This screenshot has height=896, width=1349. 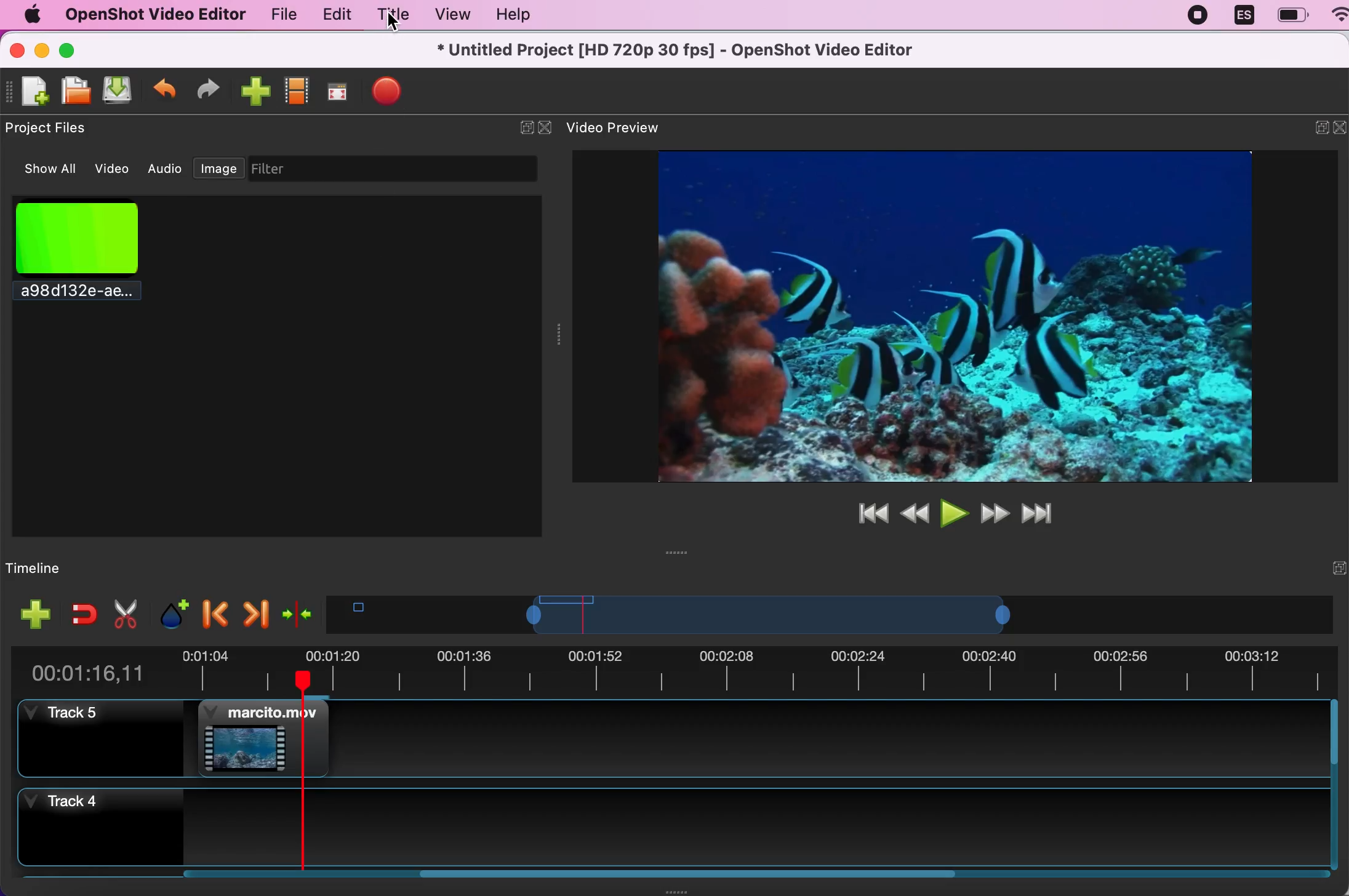 What do you see at coordinates (30, 92) in the screenshot?
I see `new file` at bounding box center [30, 92].